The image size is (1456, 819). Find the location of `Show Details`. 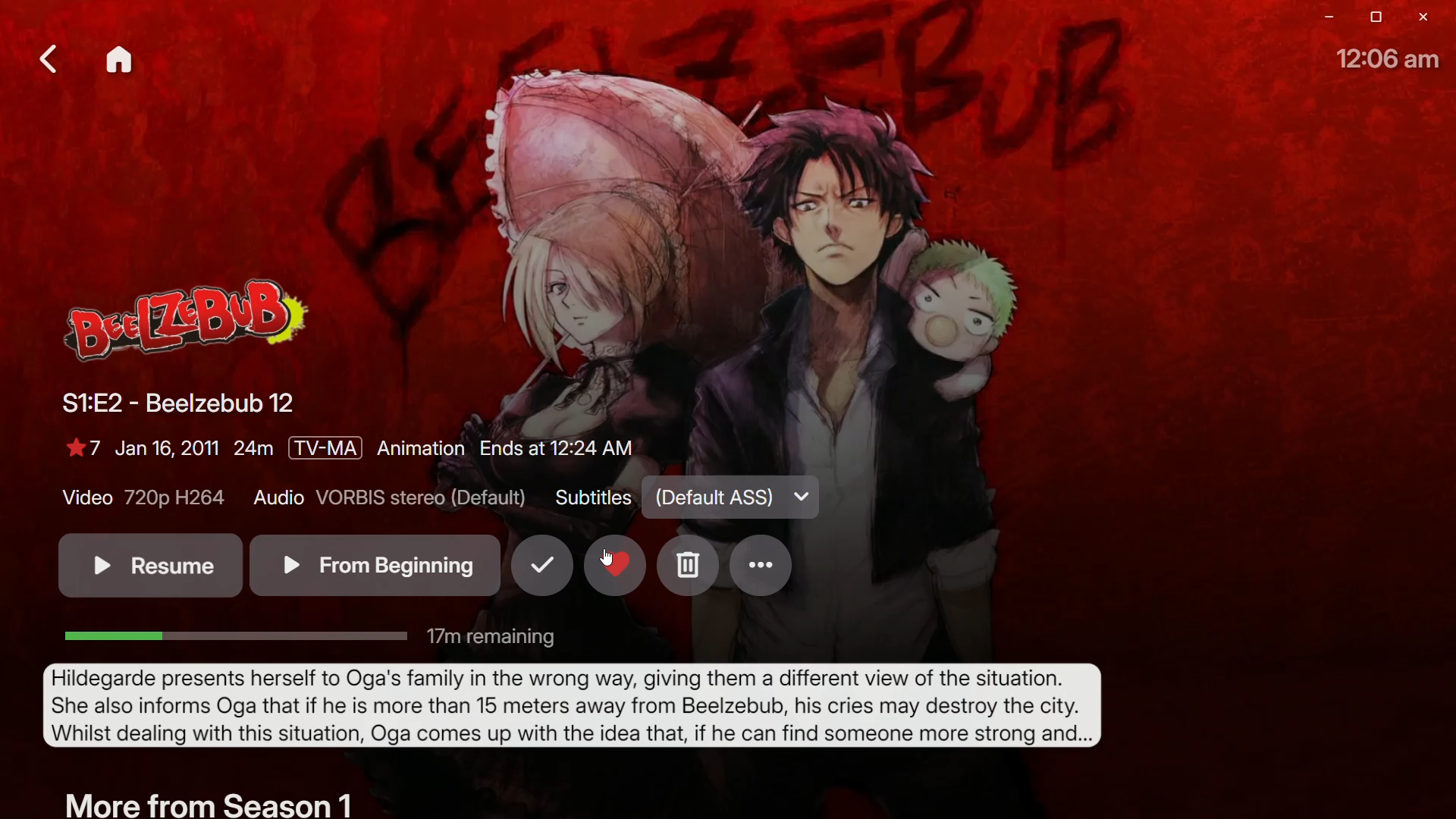

Show Details is located at coordinates (351, 454).